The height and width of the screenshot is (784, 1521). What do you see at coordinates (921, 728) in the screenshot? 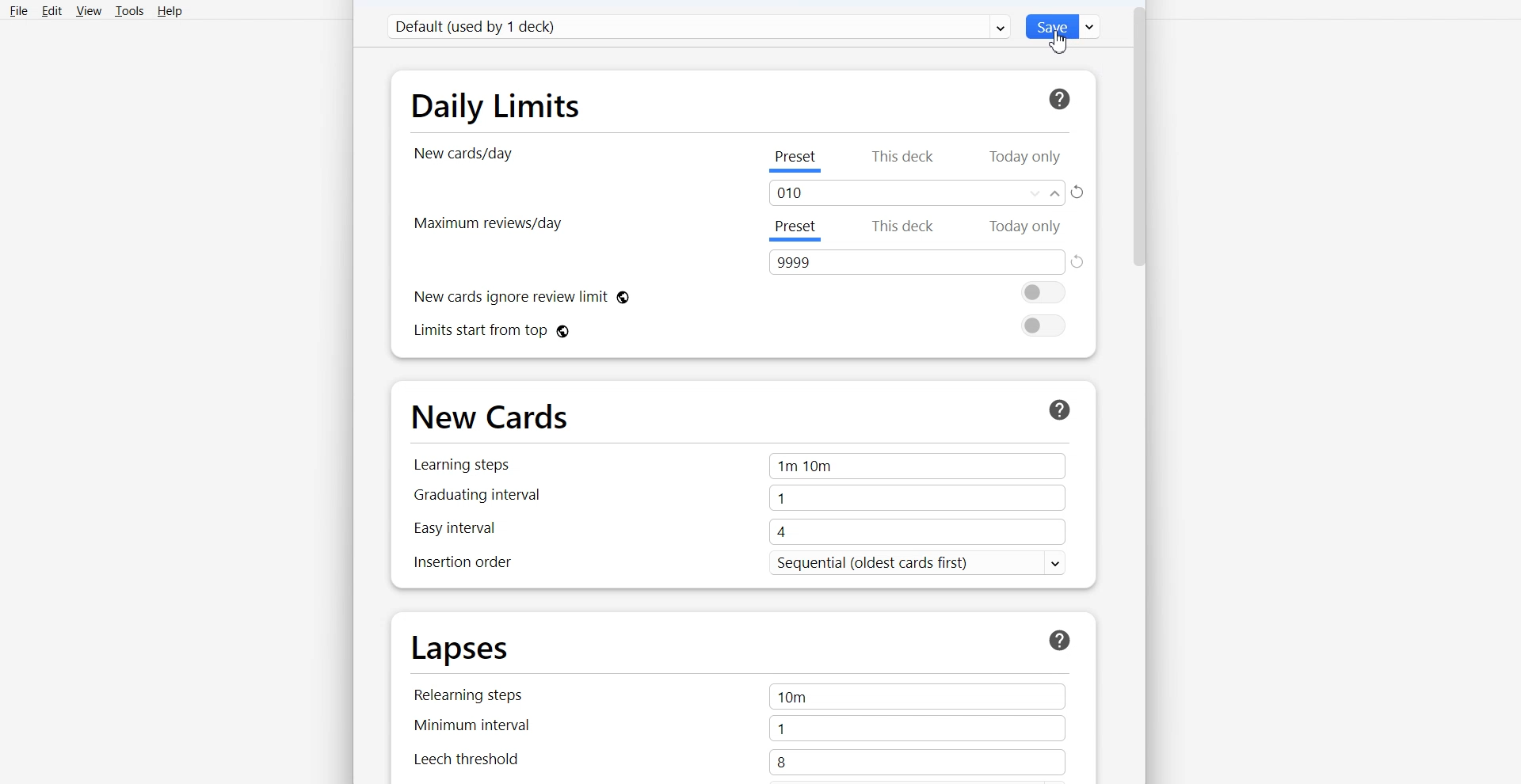
I see `1` at bounding box center [921, 728].